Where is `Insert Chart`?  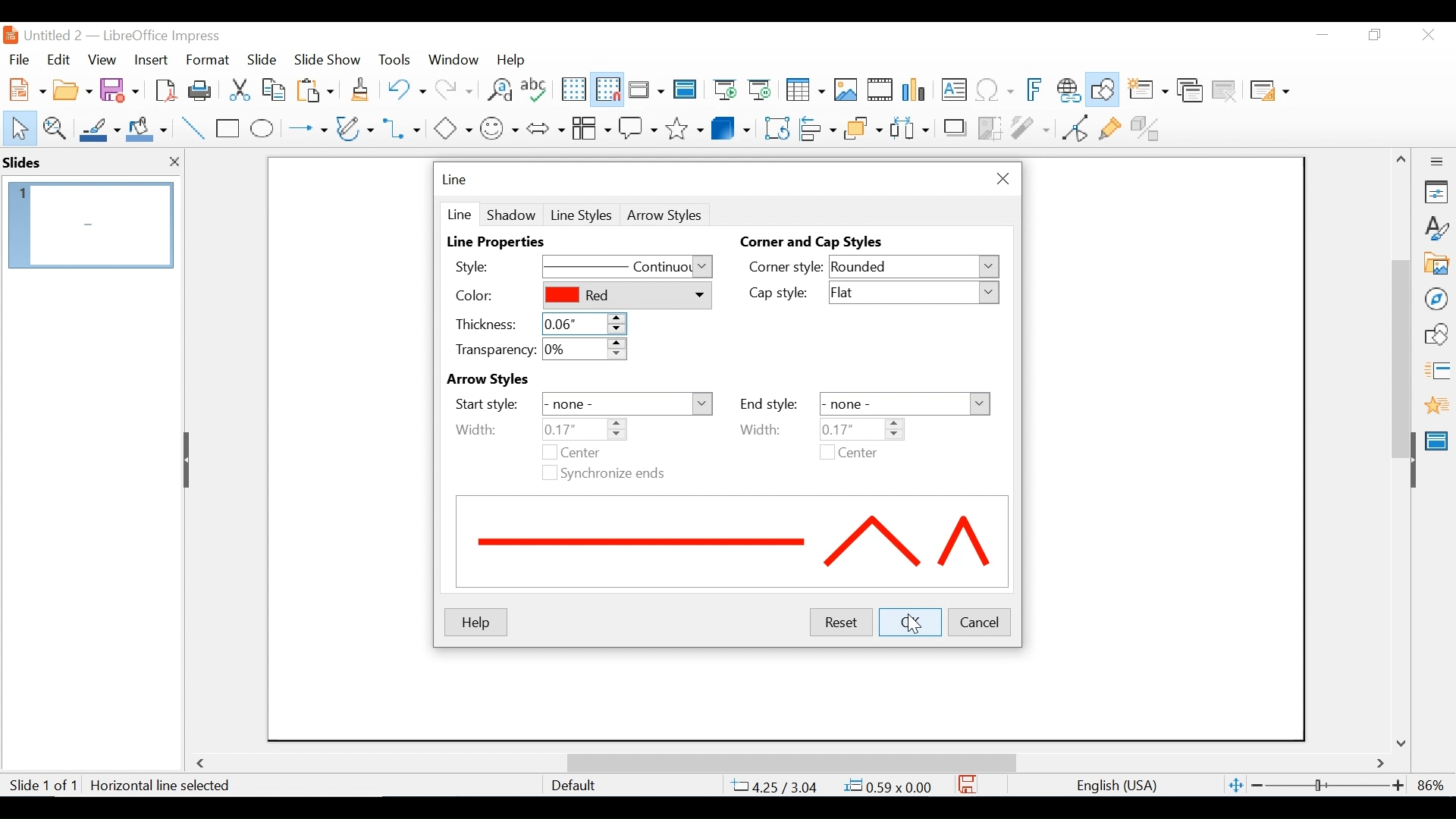 Insert Chart is located at coordinates (916, 91).